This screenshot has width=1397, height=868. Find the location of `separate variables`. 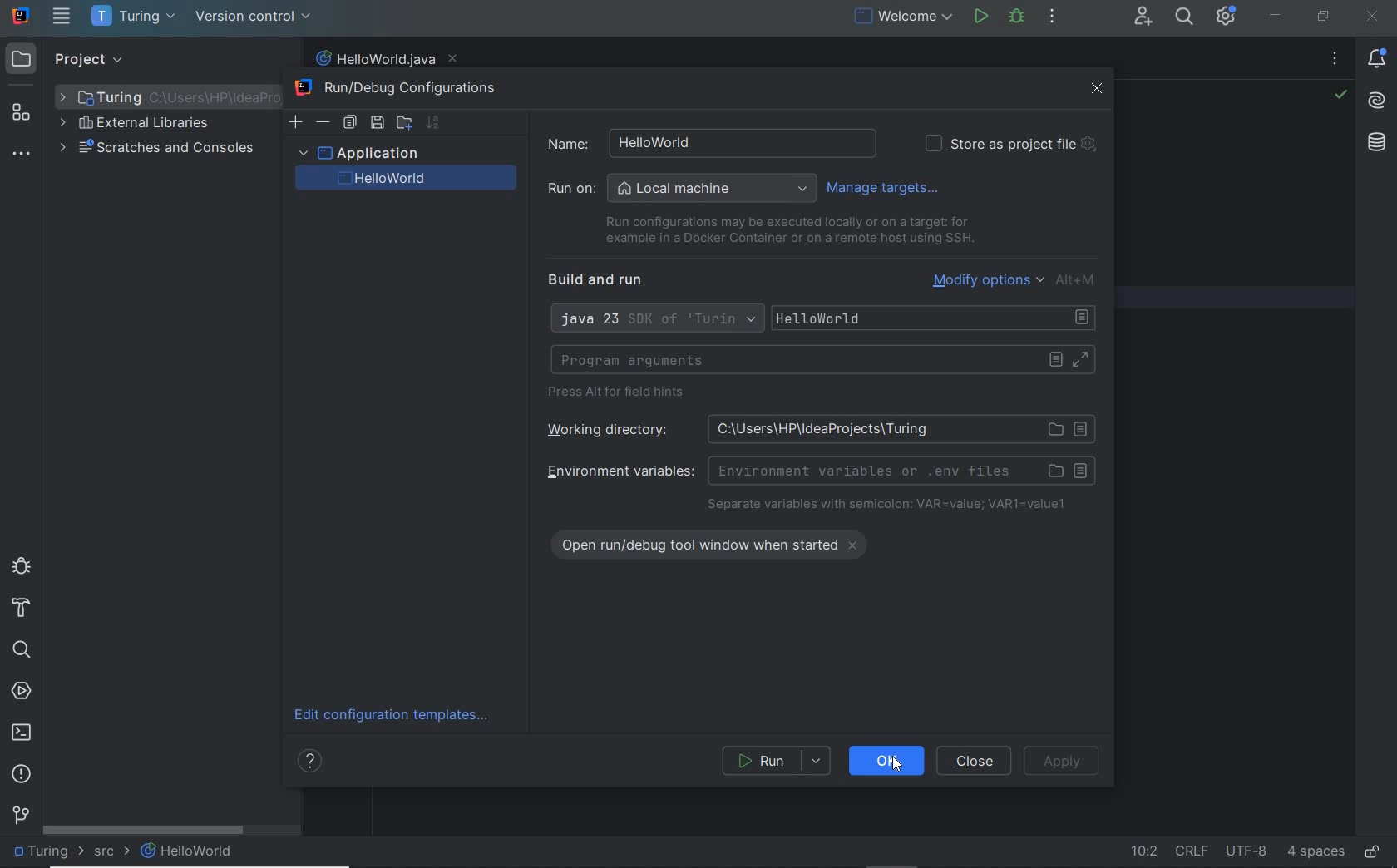

separate variables is located at coordinates (887, 506).